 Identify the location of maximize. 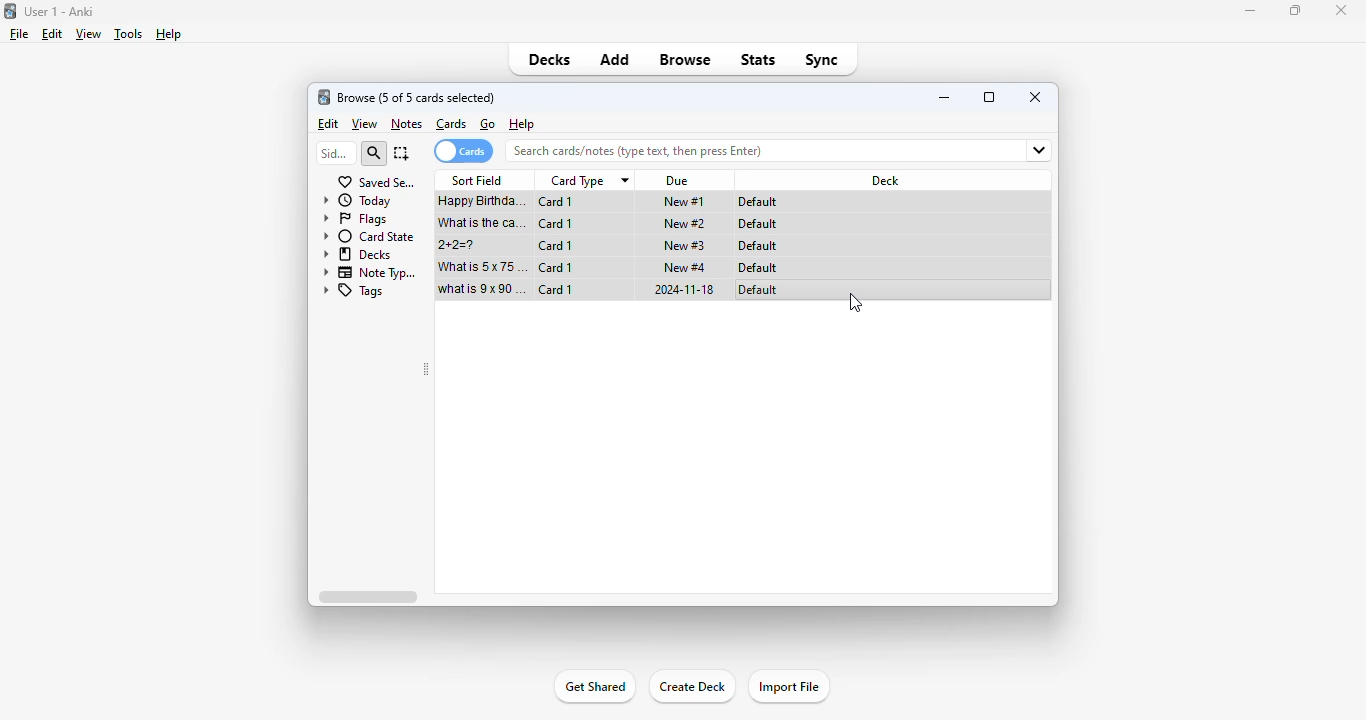
(1294, 11).